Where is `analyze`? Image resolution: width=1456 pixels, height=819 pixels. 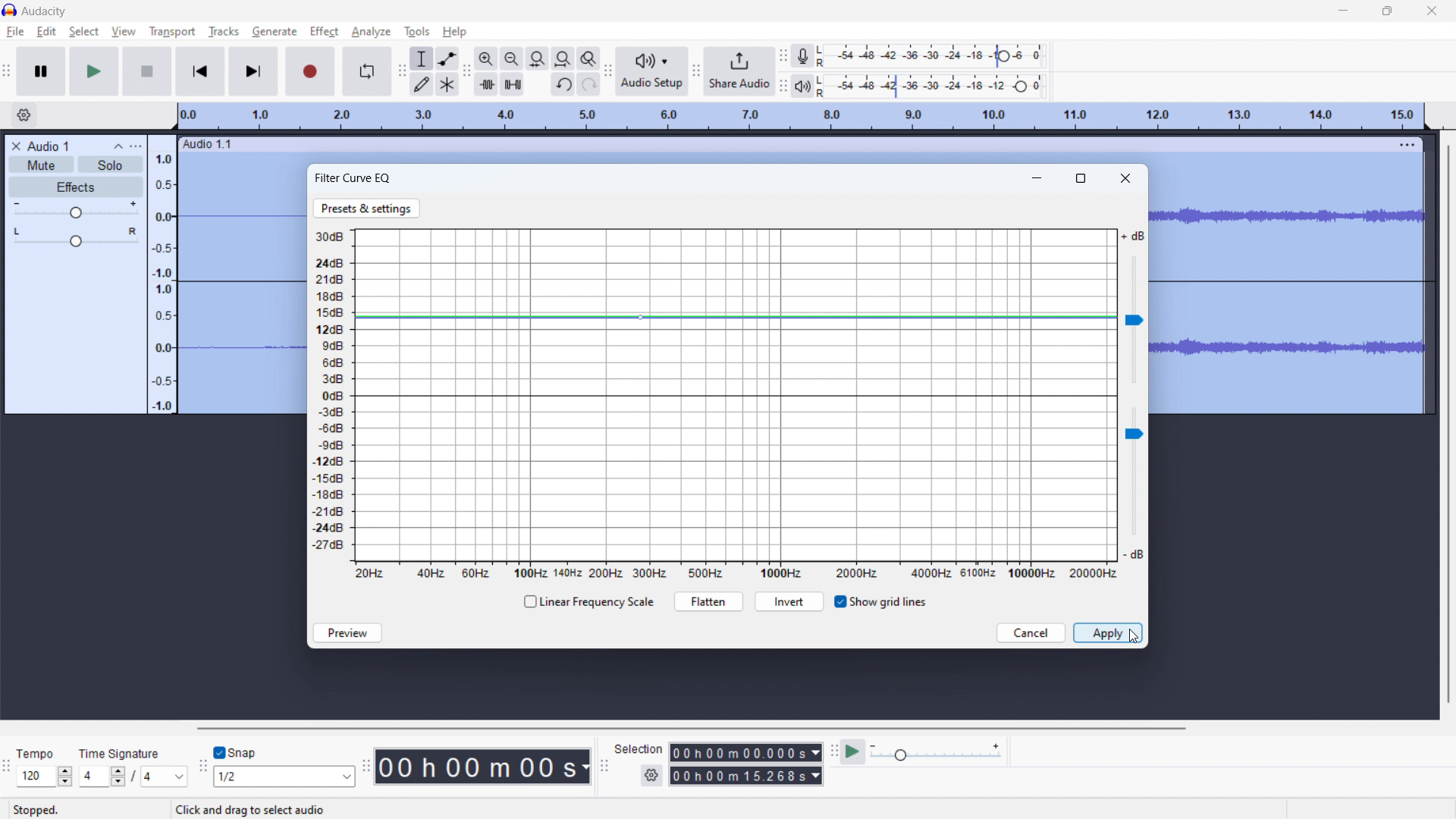
analyze is located at coordinates (371, 33).